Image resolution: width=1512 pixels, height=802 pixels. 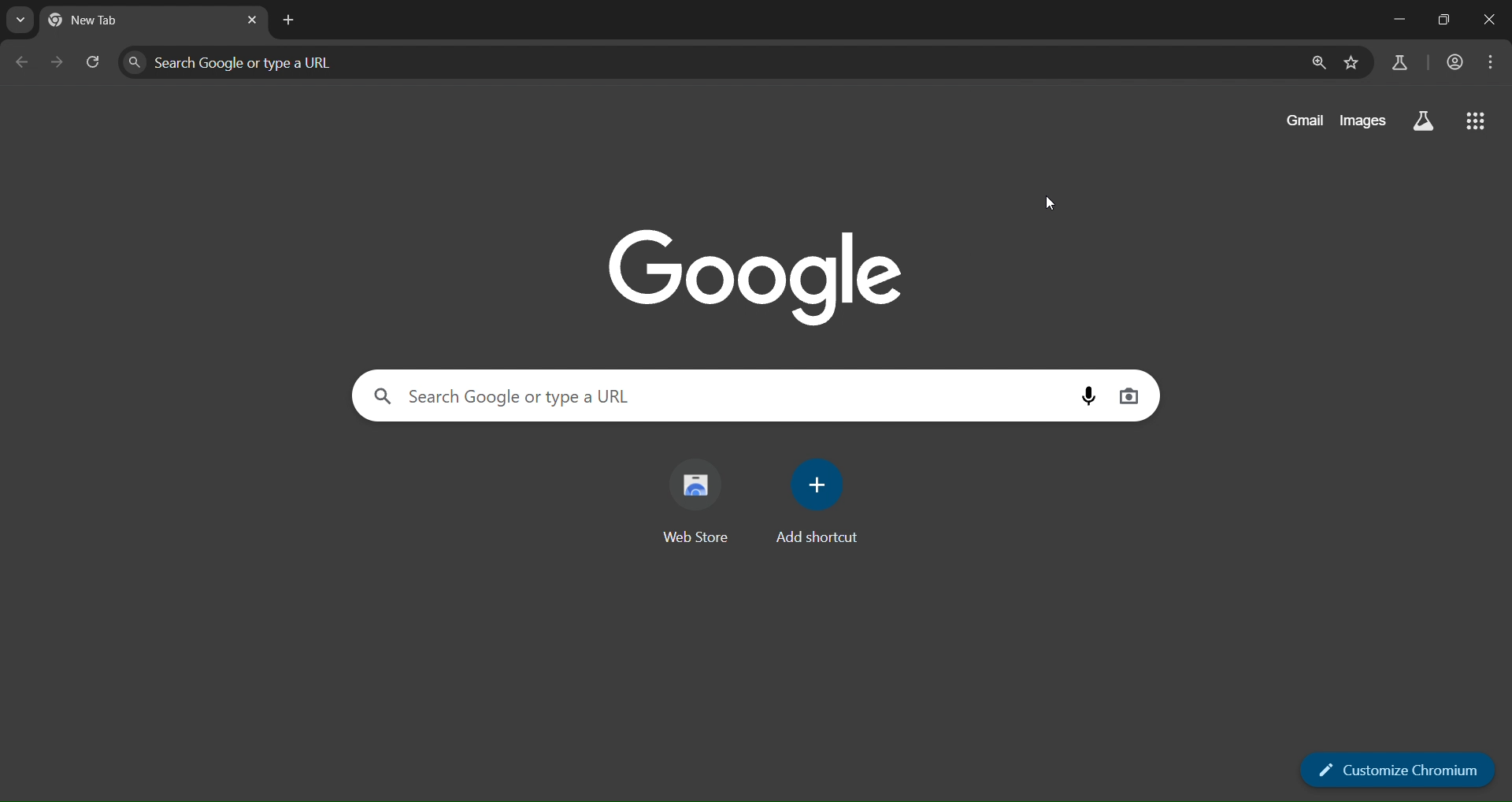 What do you see at coordinates (1362, 119) in the screenshot?
I see `images` at bounding box center [1362, 119].